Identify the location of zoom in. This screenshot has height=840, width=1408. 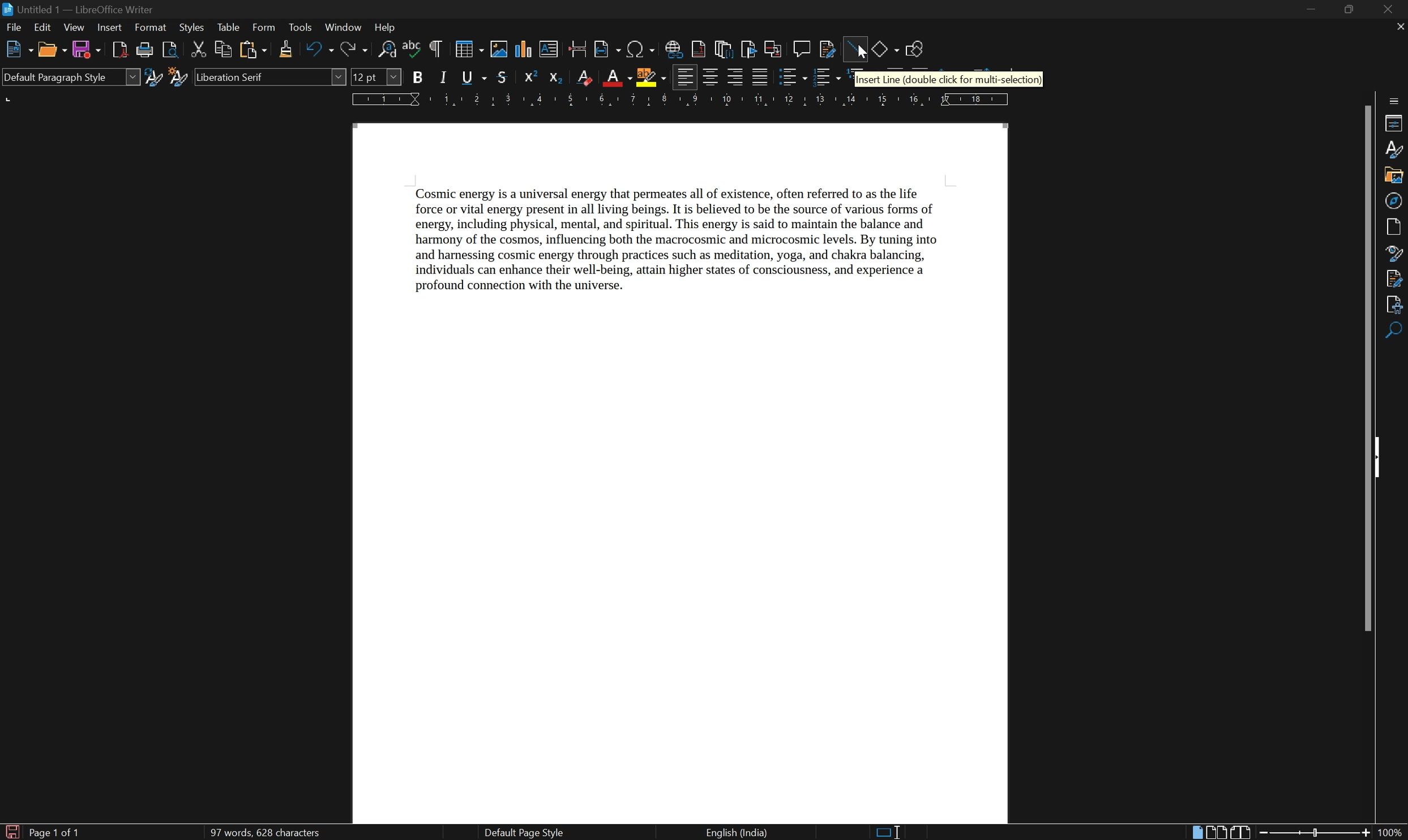
(1364, 833).